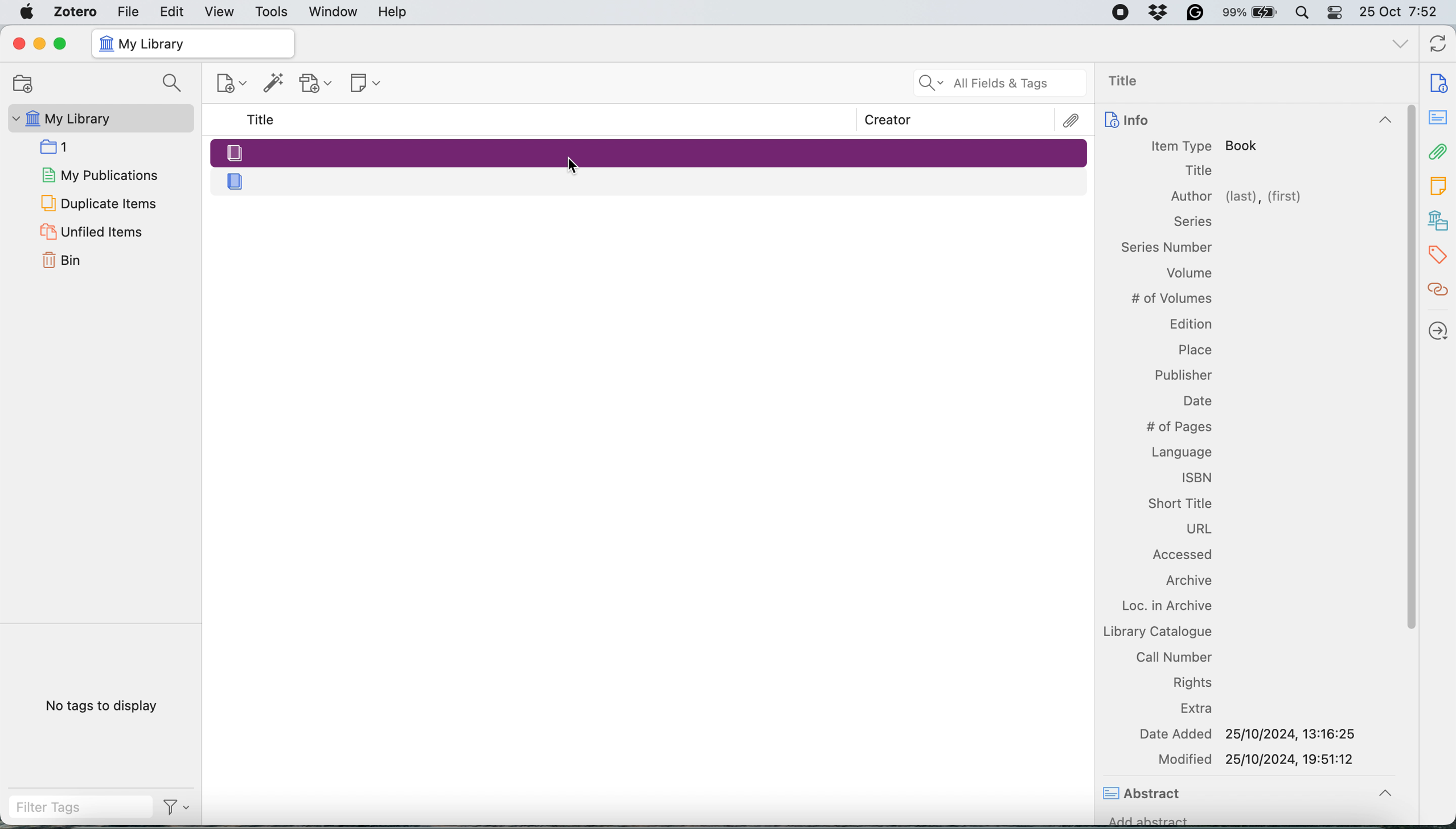  What do you see at coordinates (572, 165) in the screenshot?
I see `Cursor Position` at bounding box center [572, 165].